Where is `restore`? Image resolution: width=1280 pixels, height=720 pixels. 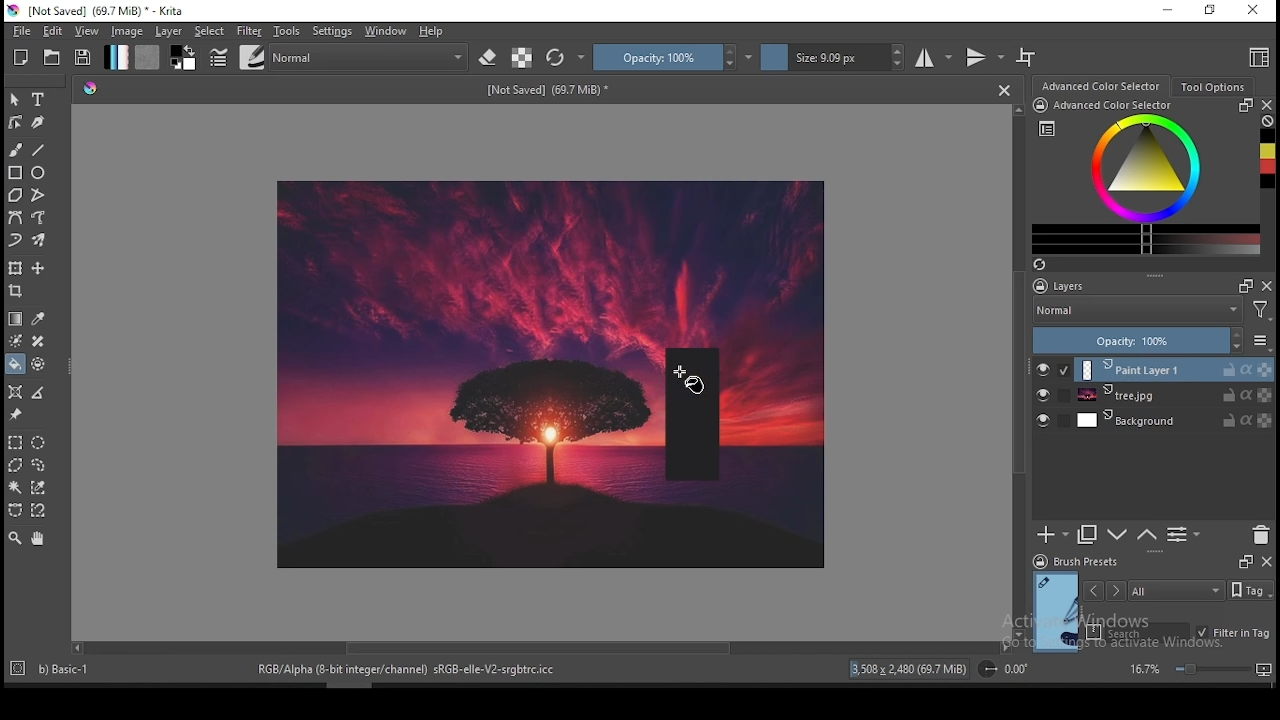
restore is located at coordinates (1209, 11).